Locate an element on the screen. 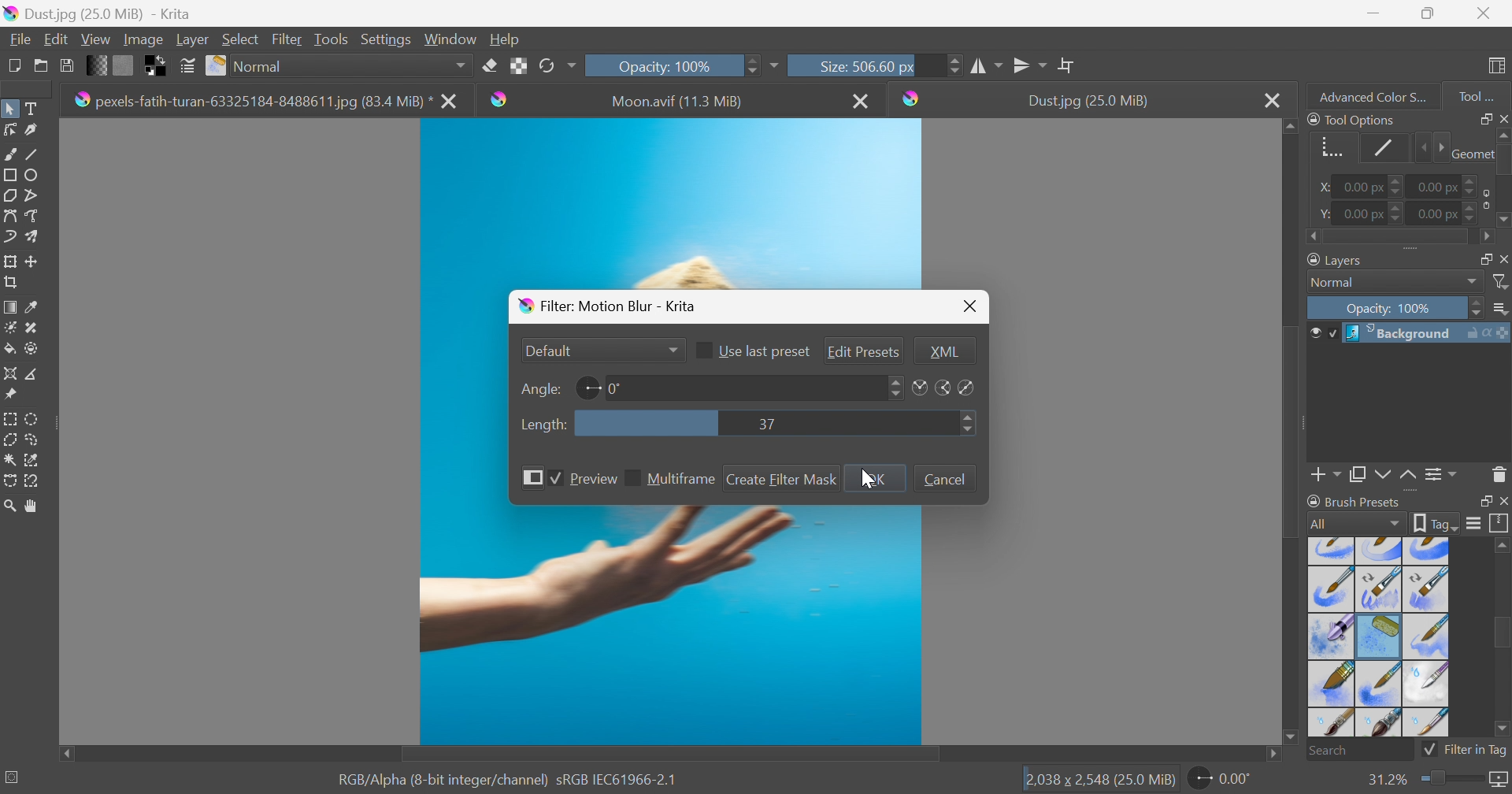 Image resolution: width=1512 pixels, height=794 pixels. Layers is located at coordinates (1480, 257).